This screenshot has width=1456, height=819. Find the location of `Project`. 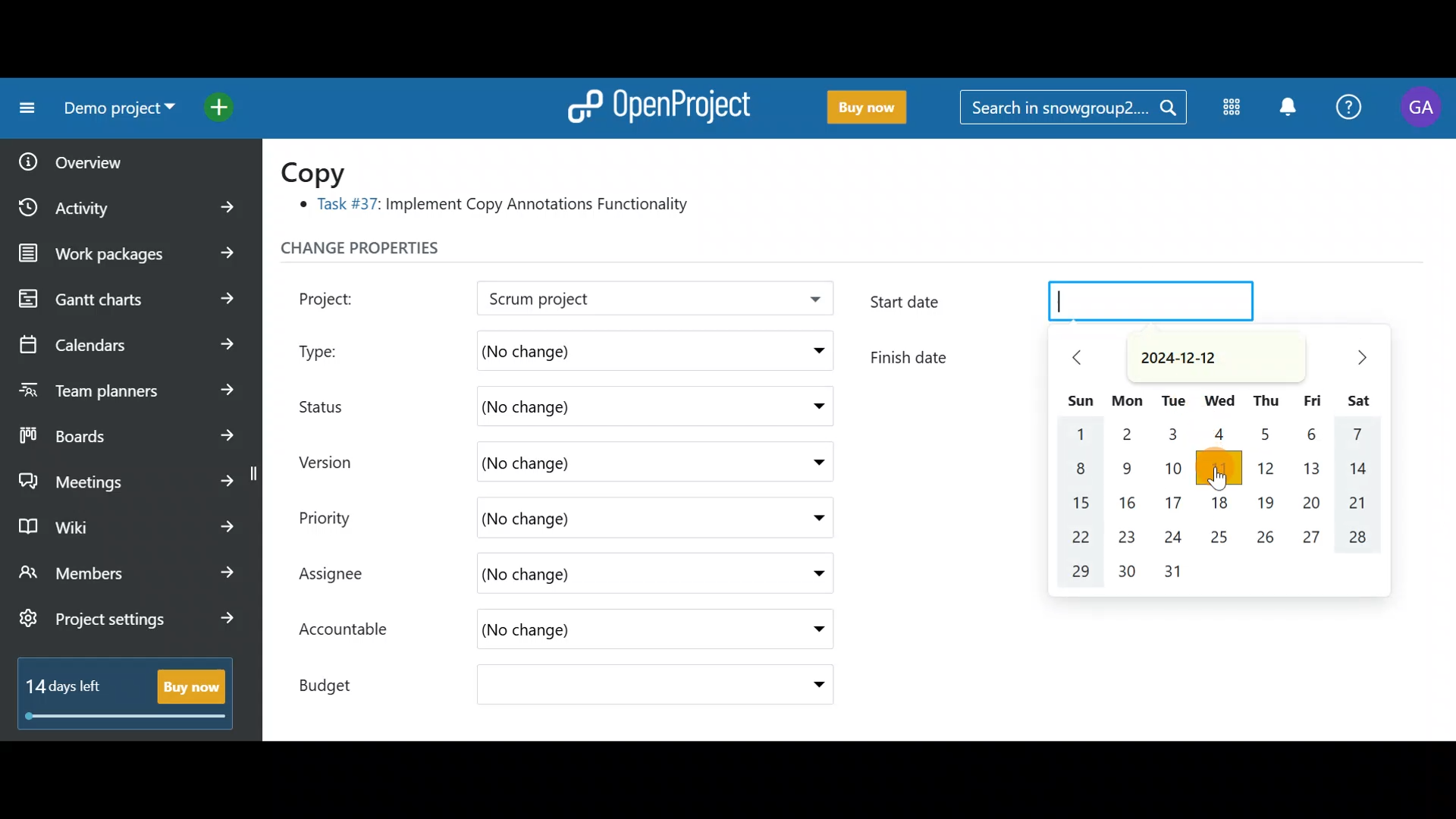

Project is located at coordinates (345, 297).